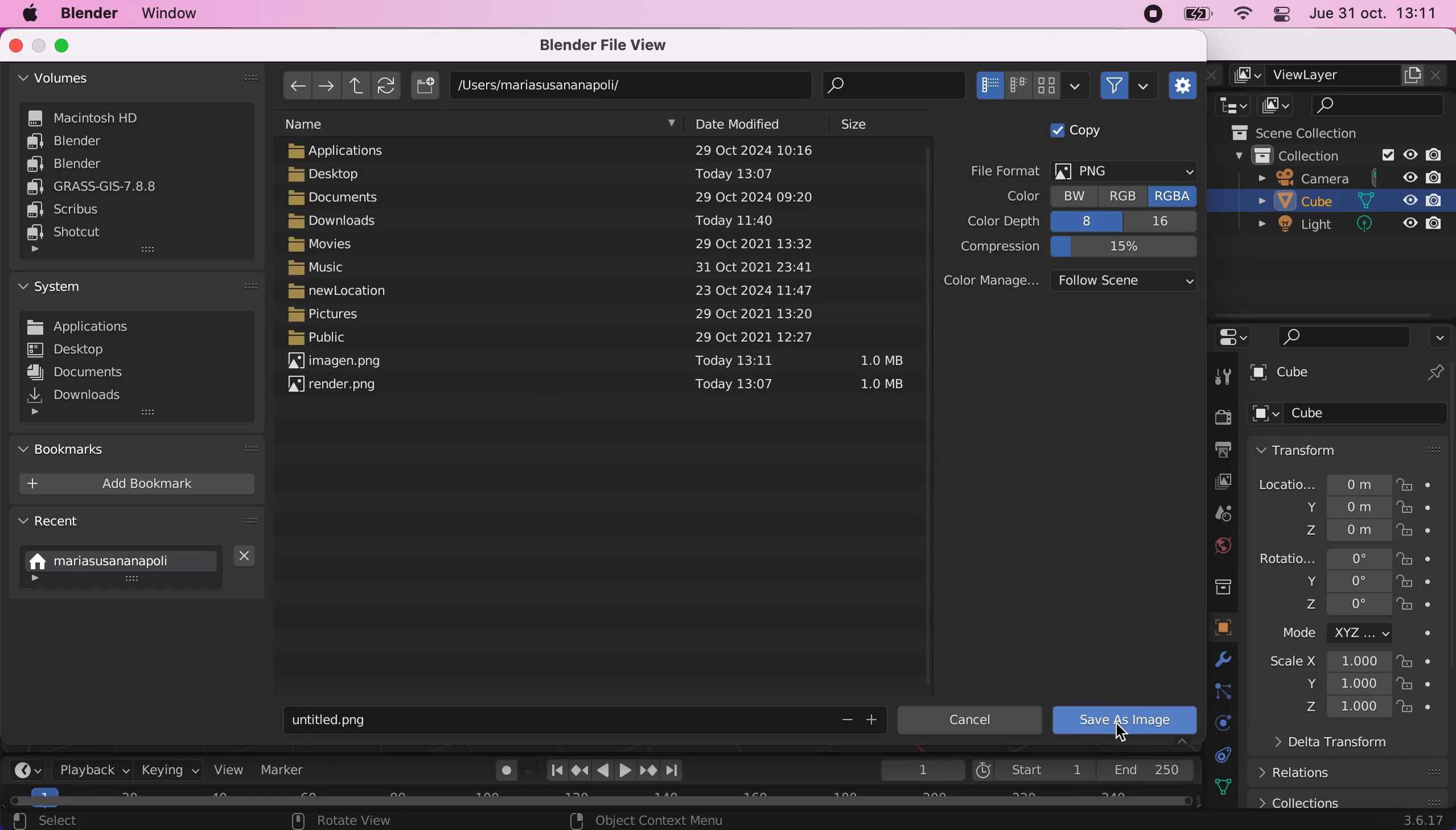 Image resolution: width=1456 pixels, height=830 pixels. What do you see at coordinates (1222, 585) in the screenshot?
I see `collection` at bounding box center [1222, 585].